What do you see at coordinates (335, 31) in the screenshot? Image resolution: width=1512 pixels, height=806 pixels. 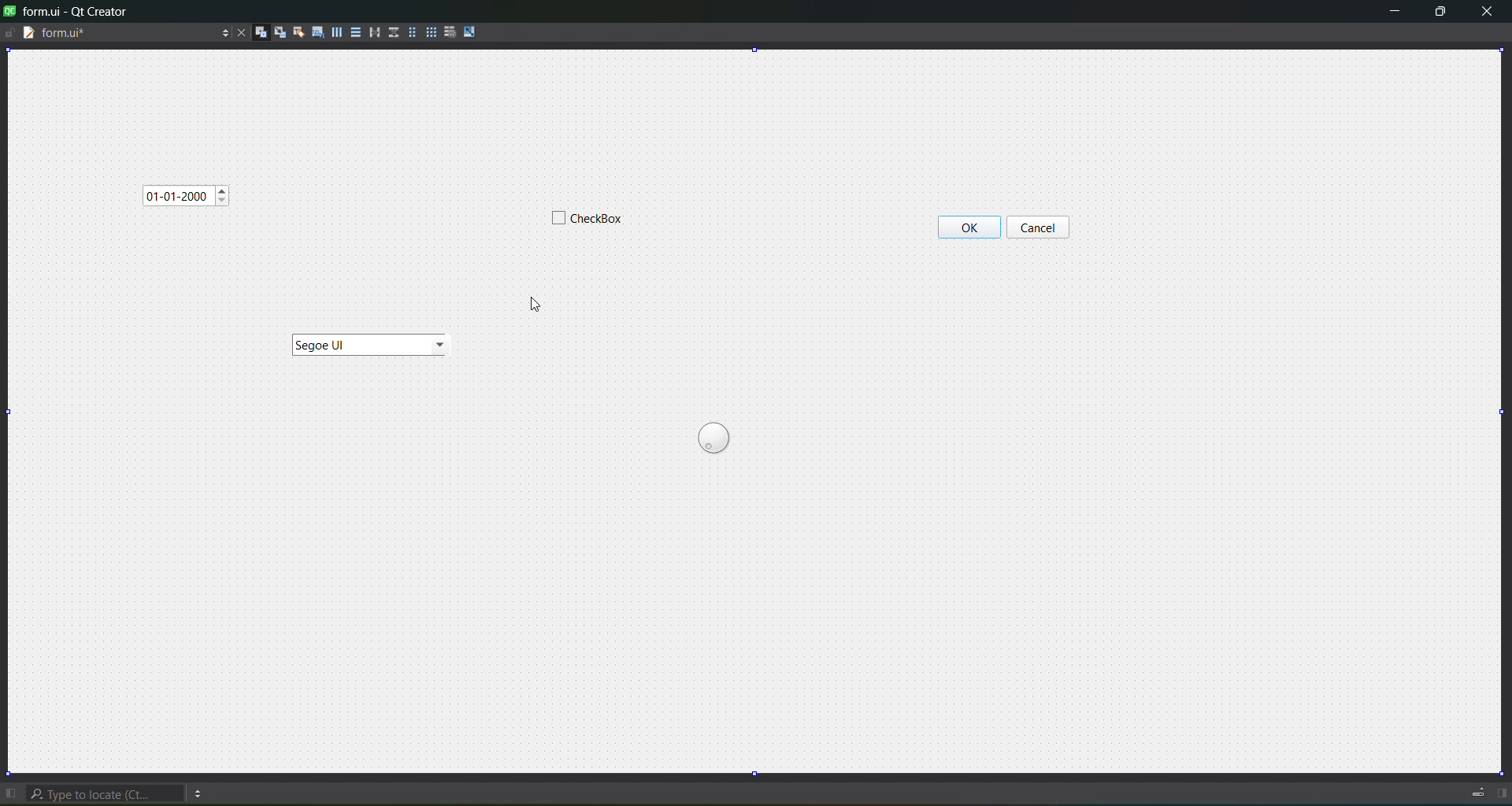 I see `Layout Horizontally` at bounding box center [335, 31].